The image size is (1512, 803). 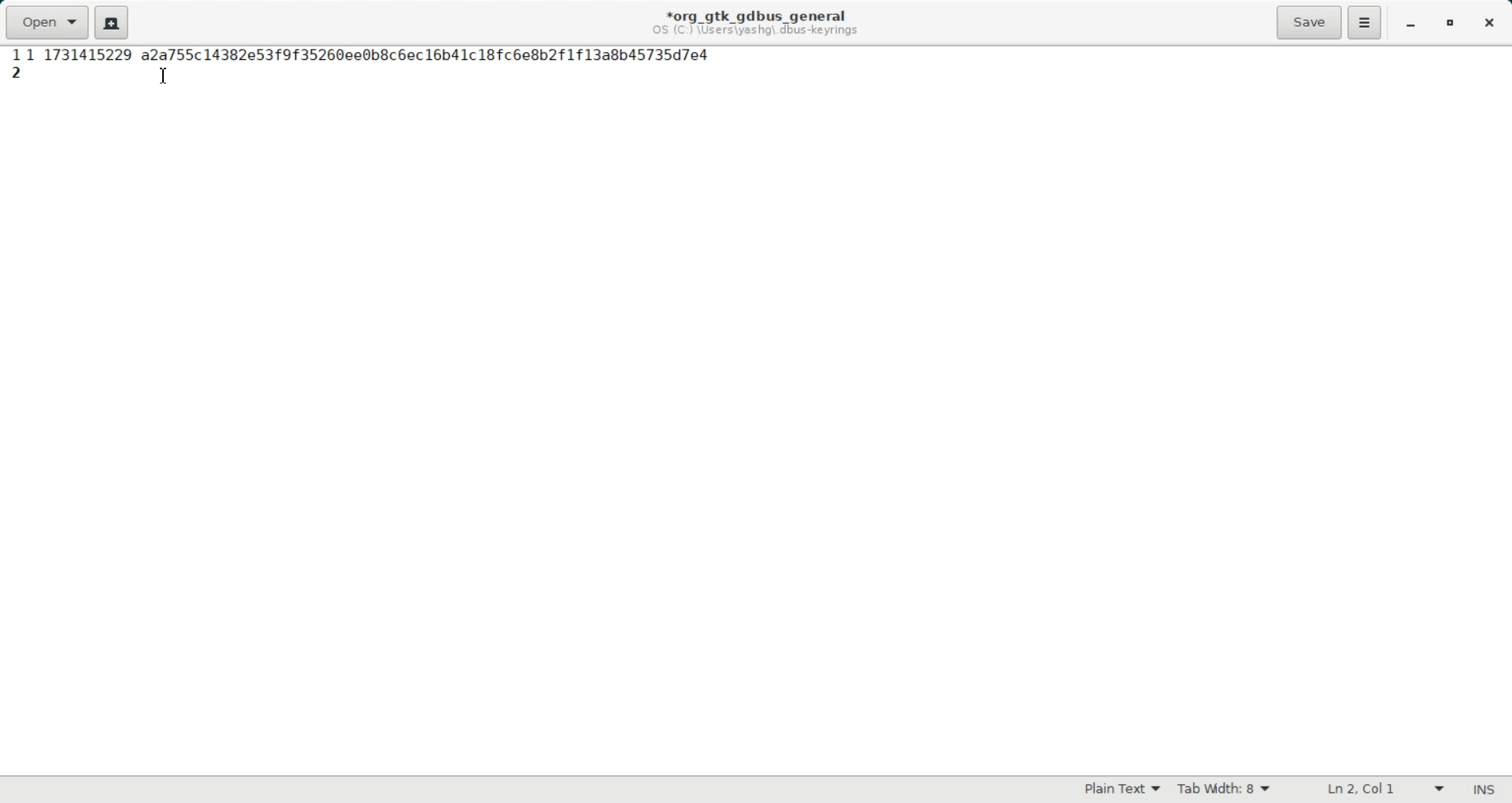 I want to click on Text Wrapping, so click(x=1368, y=790).